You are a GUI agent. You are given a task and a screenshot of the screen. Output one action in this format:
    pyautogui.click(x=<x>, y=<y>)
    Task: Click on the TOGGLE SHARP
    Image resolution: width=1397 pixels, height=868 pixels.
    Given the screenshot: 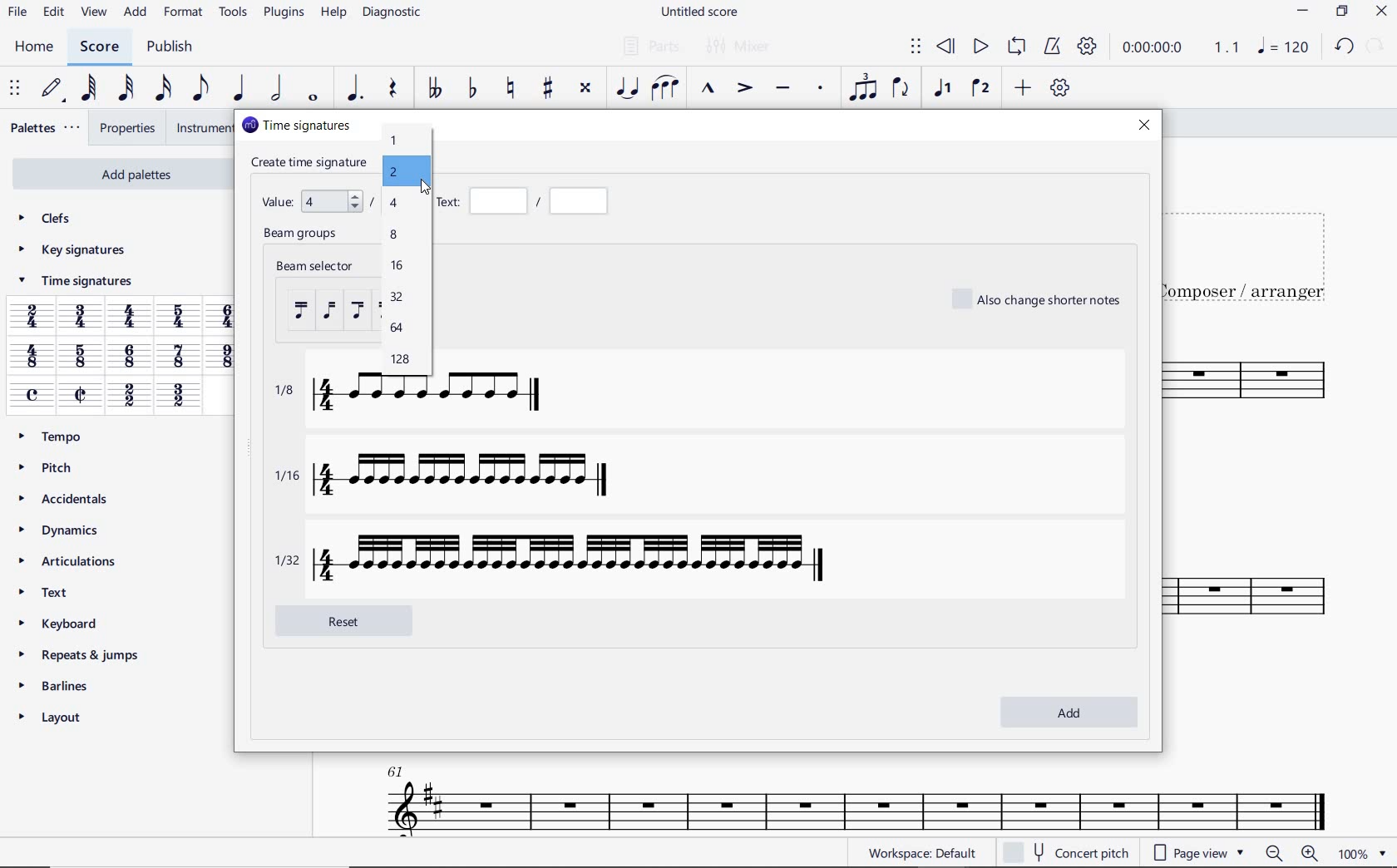 What is the action you would take?
    pyautogui.click(x=545, y=90)
    